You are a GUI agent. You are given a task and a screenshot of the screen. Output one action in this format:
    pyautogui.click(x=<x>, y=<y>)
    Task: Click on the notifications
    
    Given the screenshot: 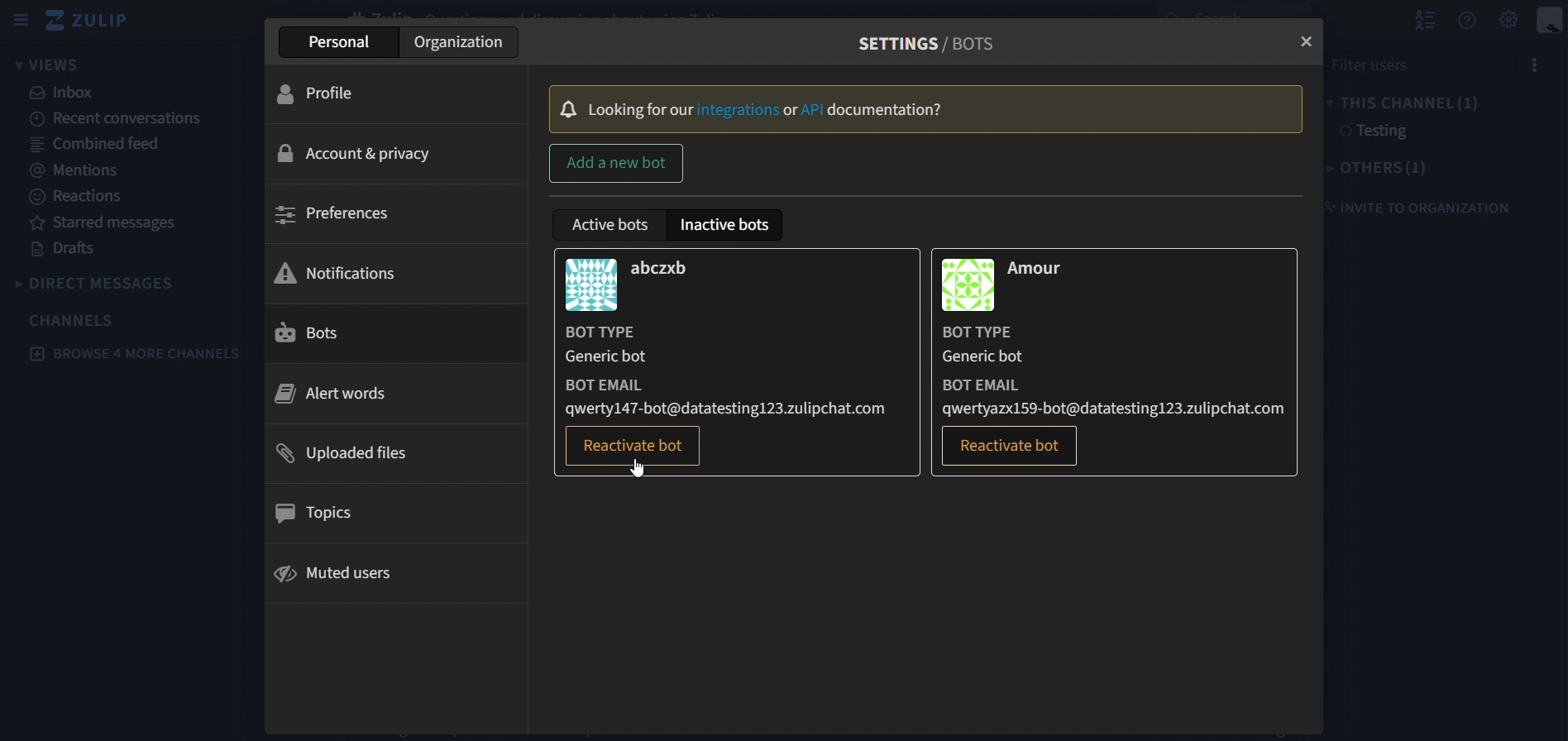 What is the action you would take?
    pyautogui.click(x=336, y=271)
    